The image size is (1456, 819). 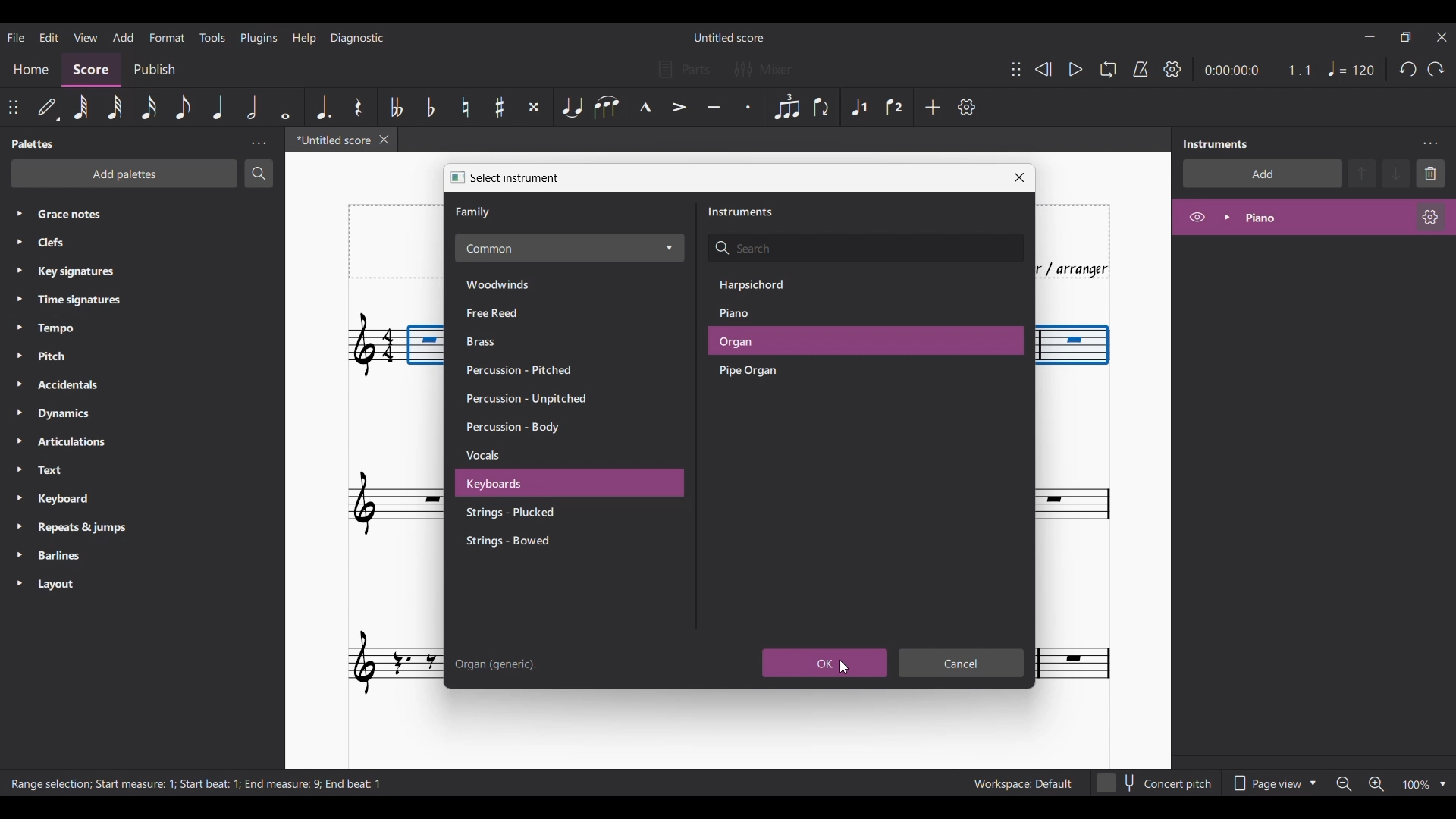 What do you see at coordinates (149, 106) in the screenshot?
I see `16th note` at bounding box center [149, 106].